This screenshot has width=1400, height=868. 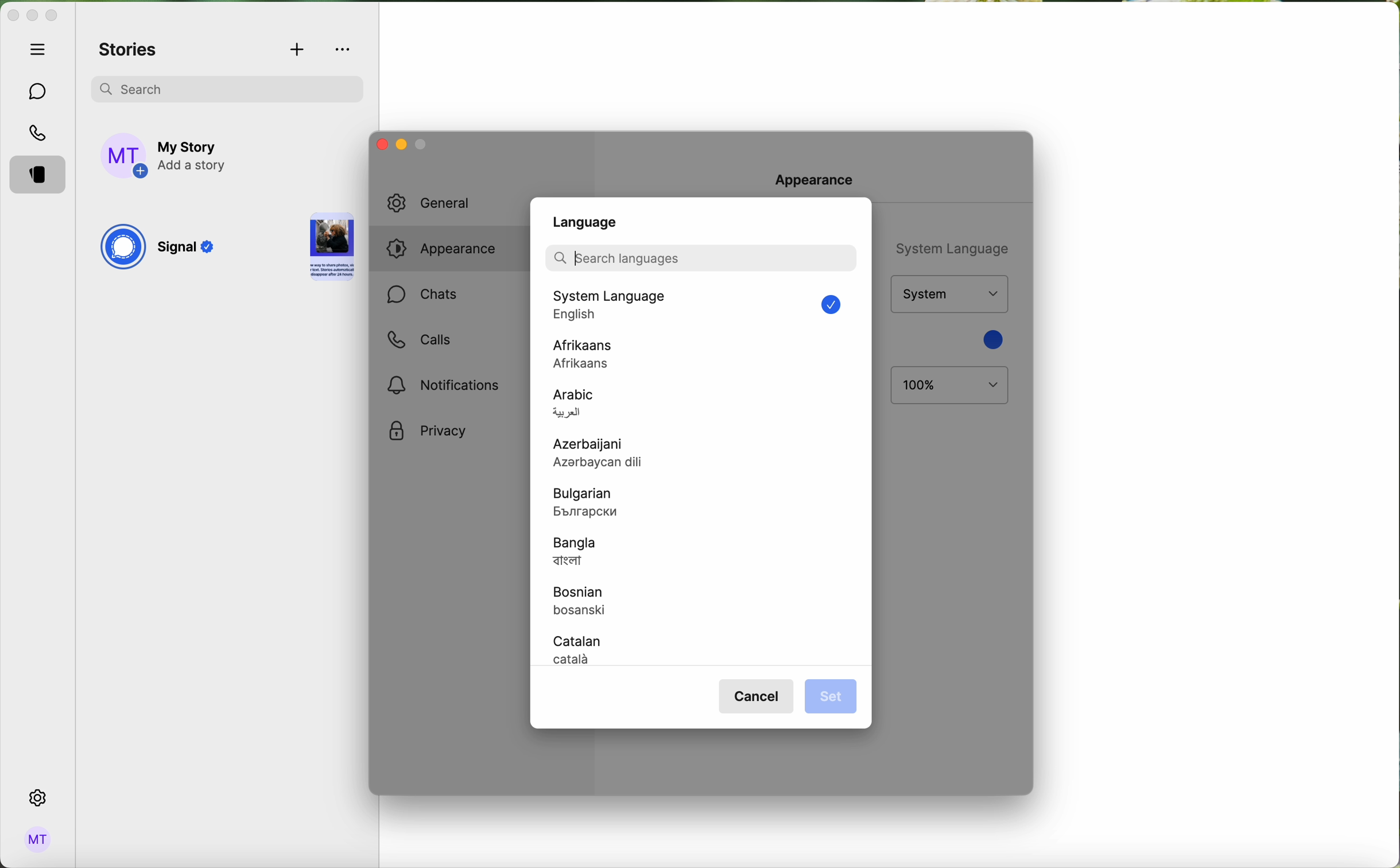 I want to click on language, so click(x=586, y=222).